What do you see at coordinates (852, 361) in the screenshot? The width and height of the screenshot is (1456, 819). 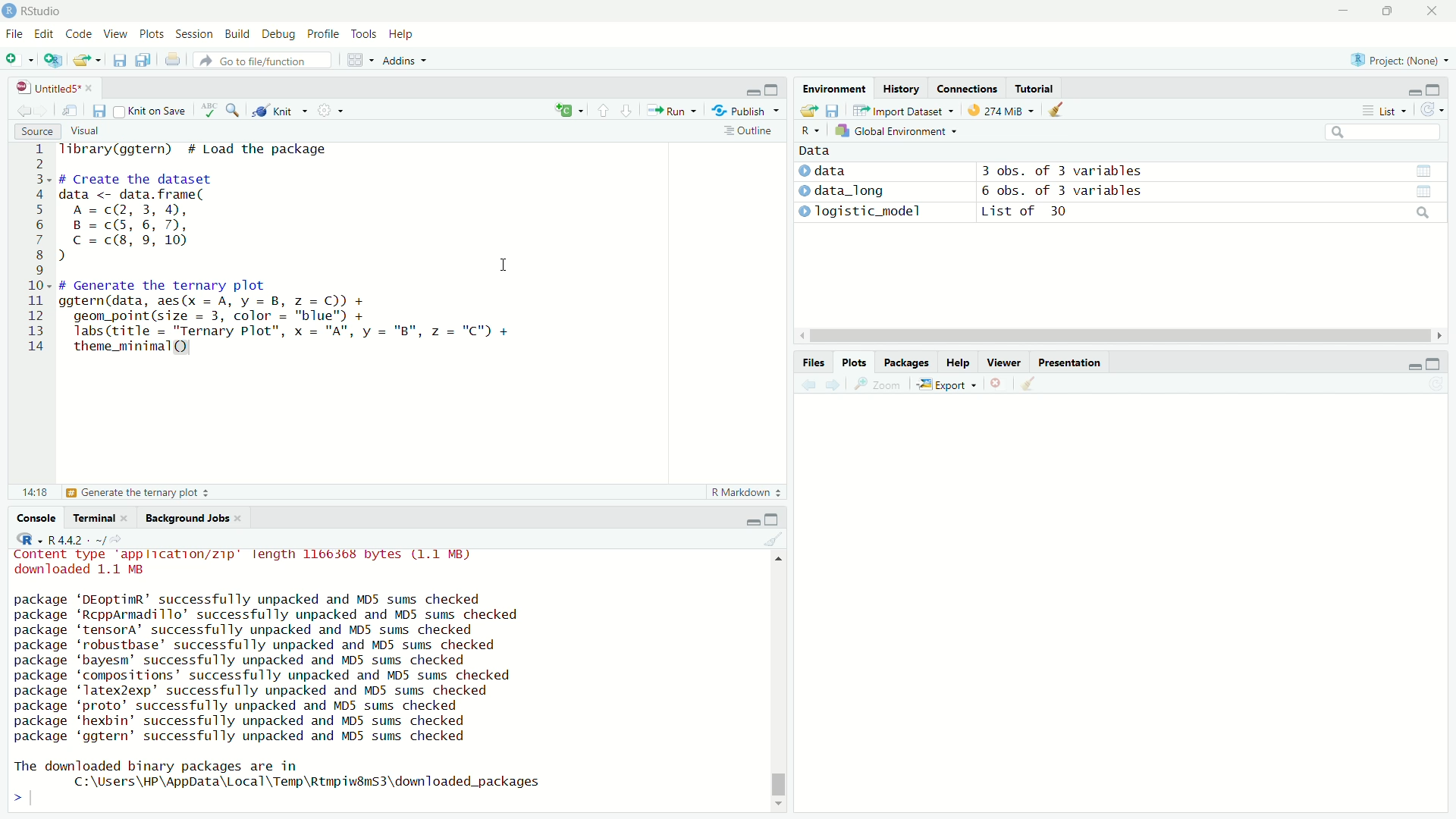 I see `Plots` at bounding box center [852, 361].